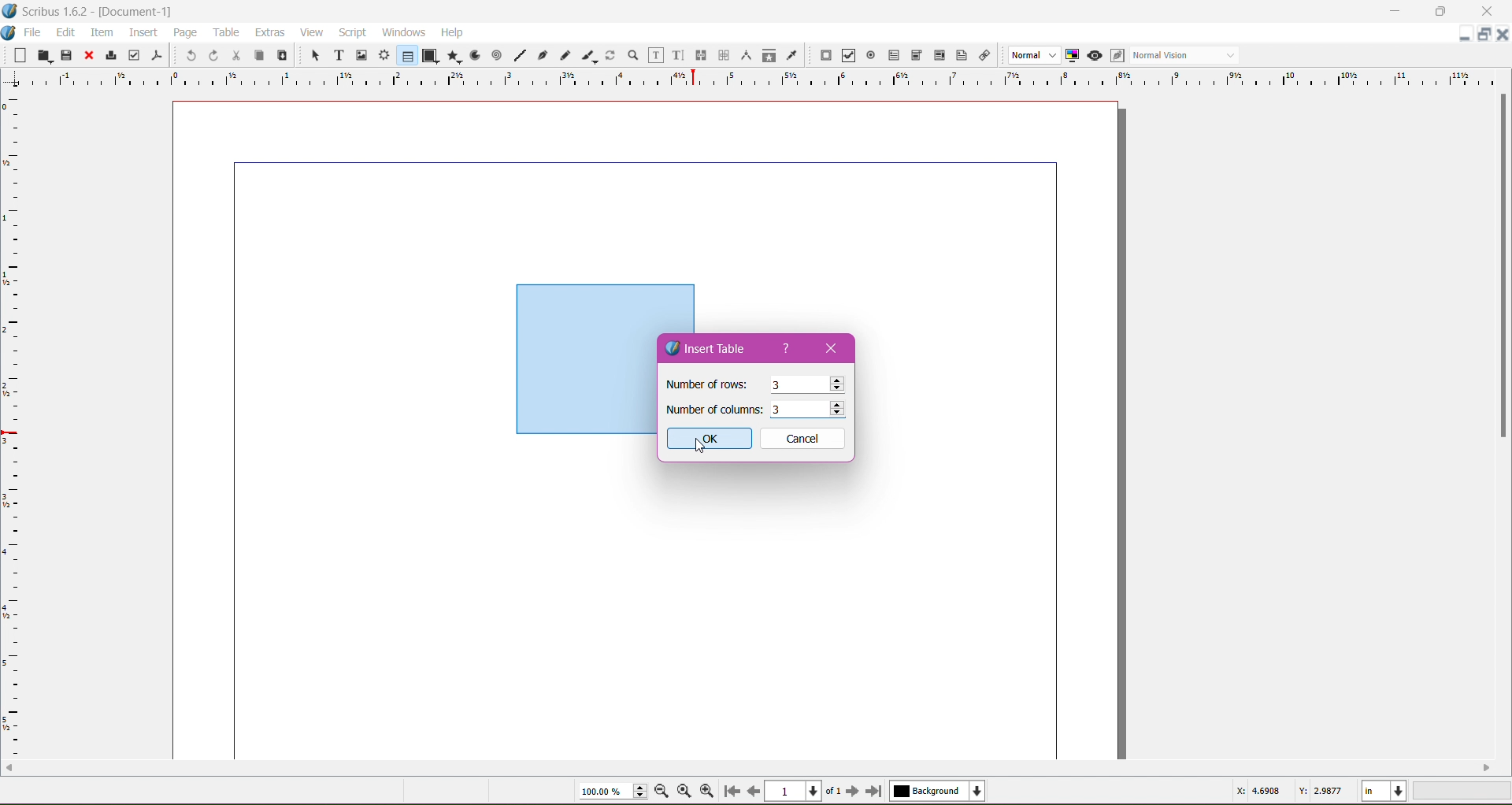 Image resolution: width=1512 pixels, height=805 pixels. Describe the element at coordinates (402, 32) in the screenshot. I see `Windows` at that location.